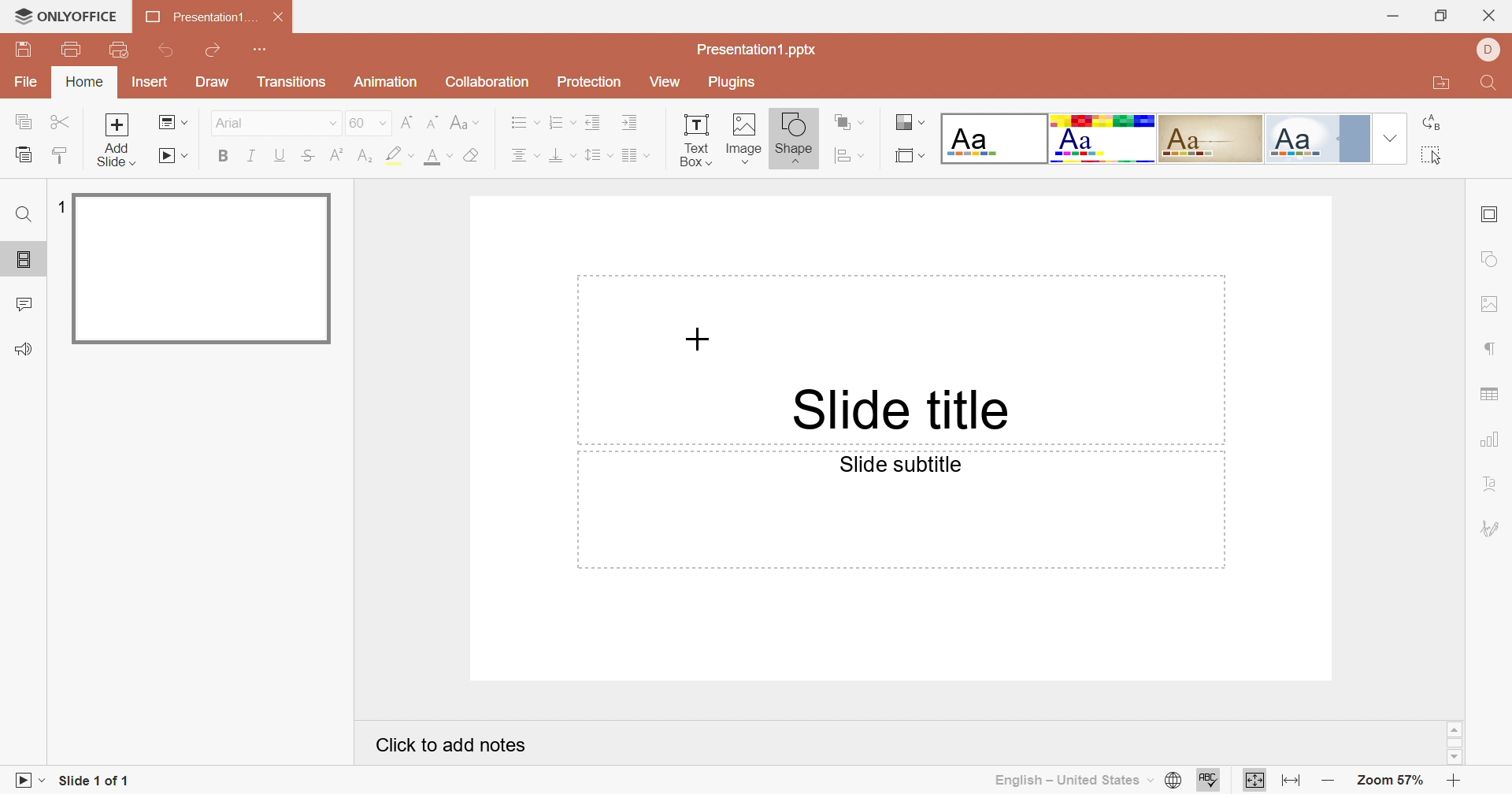  Describe the element at coordinates (57, 206) in the screenshot. I see `1` at that location.